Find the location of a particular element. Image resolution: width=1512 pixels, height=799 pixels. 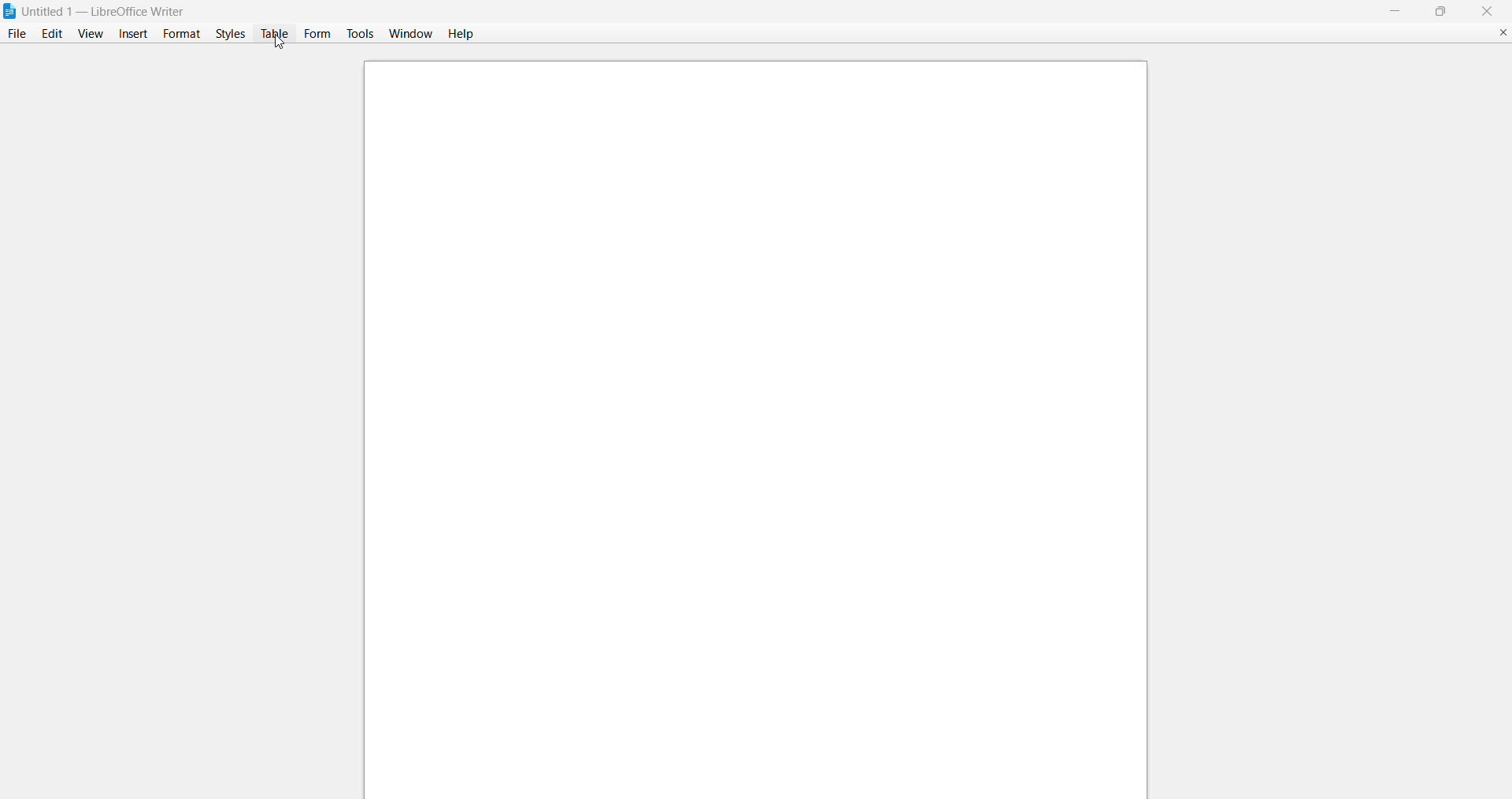

styles is located at coordinates (228, 33).